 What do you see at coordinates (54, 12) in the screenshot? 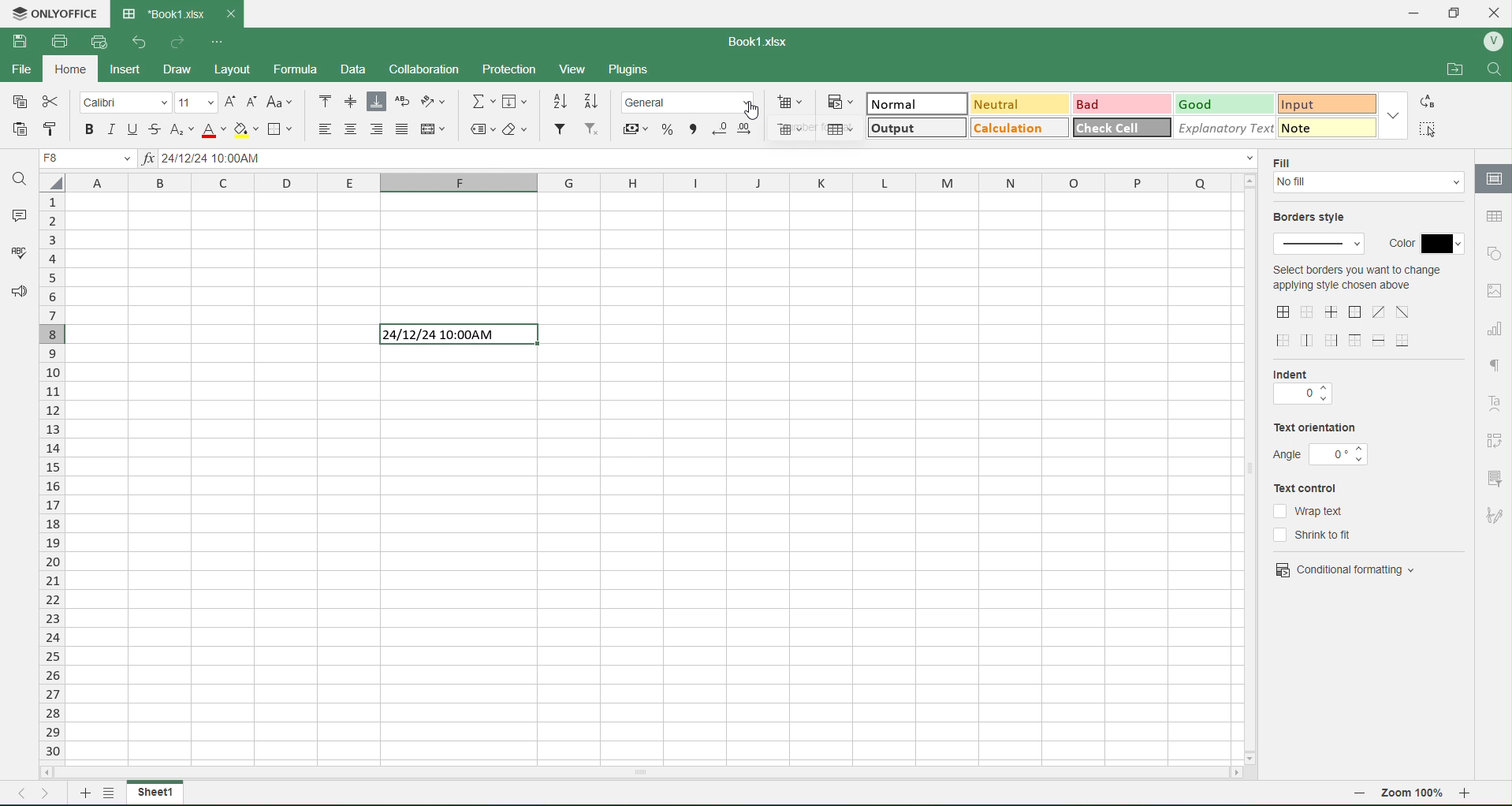
I see `ONLYOFFICE` at bounding box center [54, 12].